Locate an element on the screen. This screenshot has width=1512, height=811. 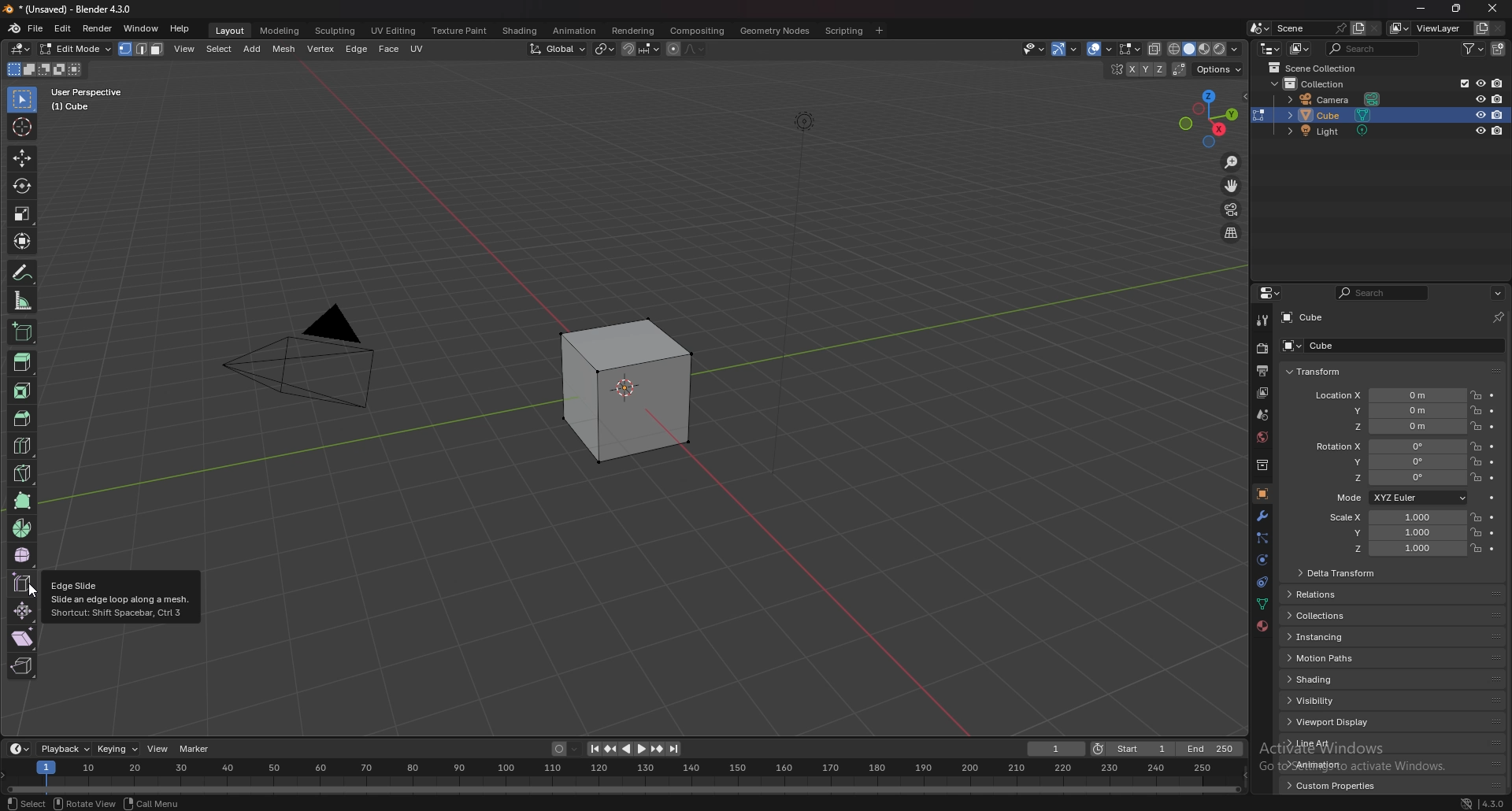
add view layer is located at coordinates (1480, 28).